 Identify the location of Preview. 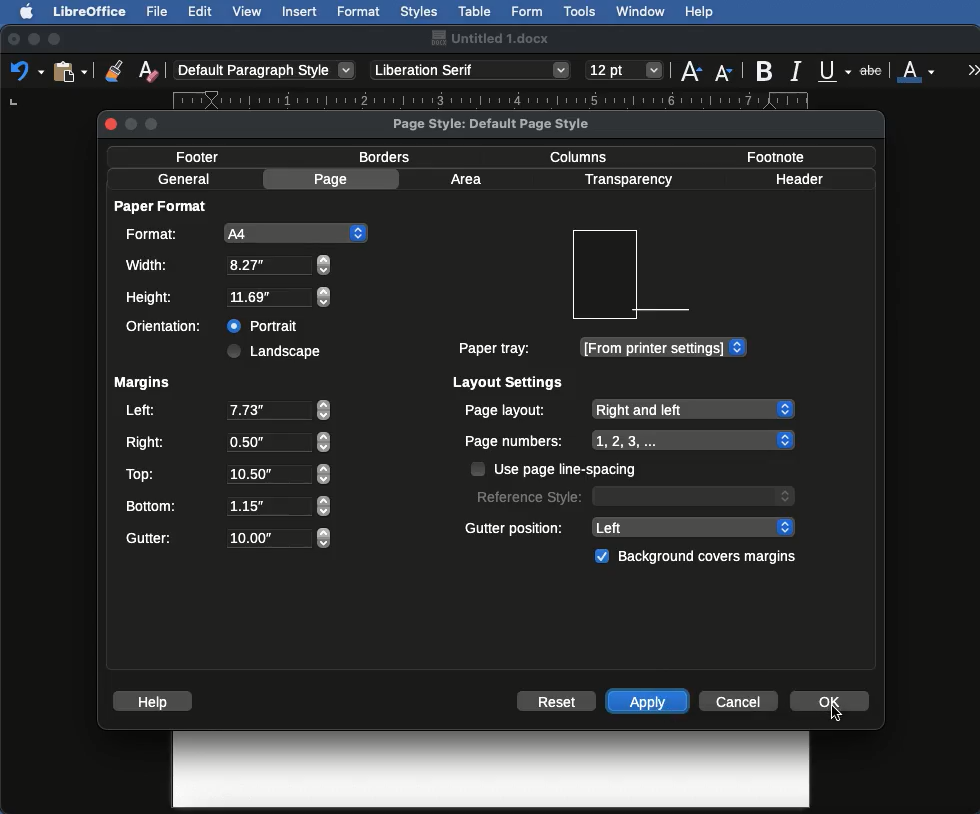
(604, 275).